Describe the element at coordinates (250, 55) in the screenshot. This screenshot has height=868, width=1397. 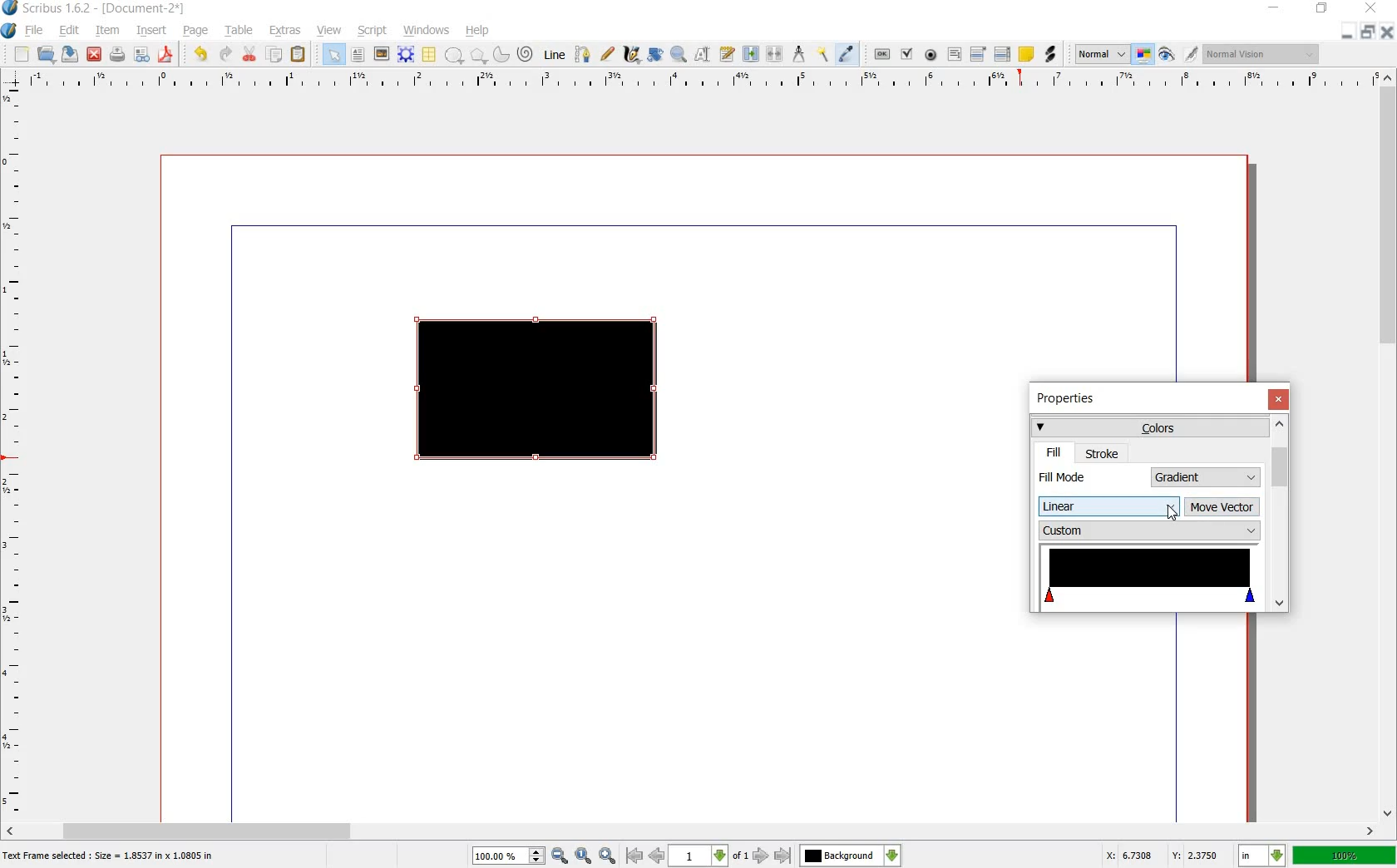
I see `cut` at that location.